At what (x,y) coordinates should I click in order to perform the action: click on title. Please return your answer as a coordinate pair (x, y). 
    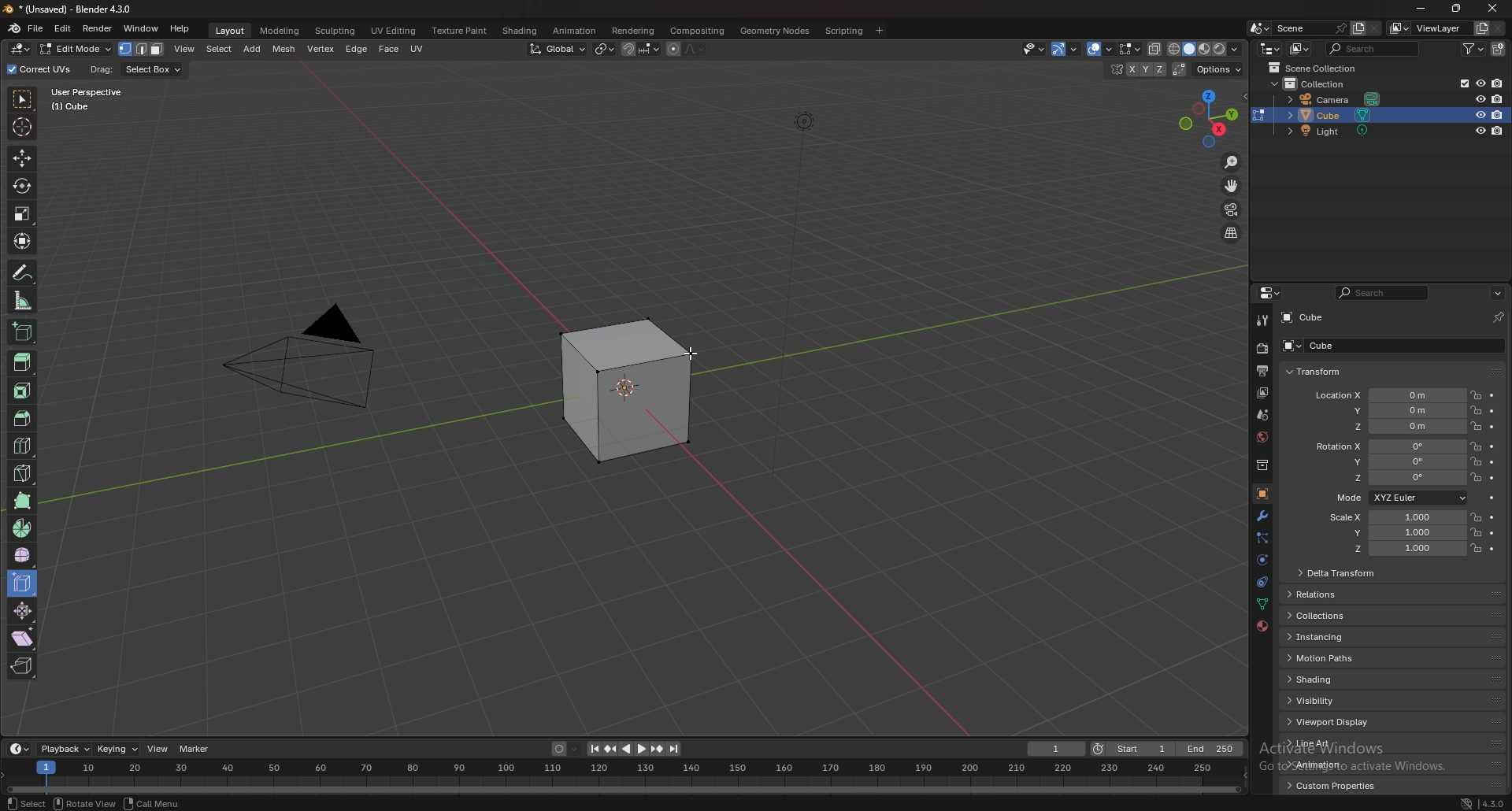
    Looking at the image, I should click on (75, 9).